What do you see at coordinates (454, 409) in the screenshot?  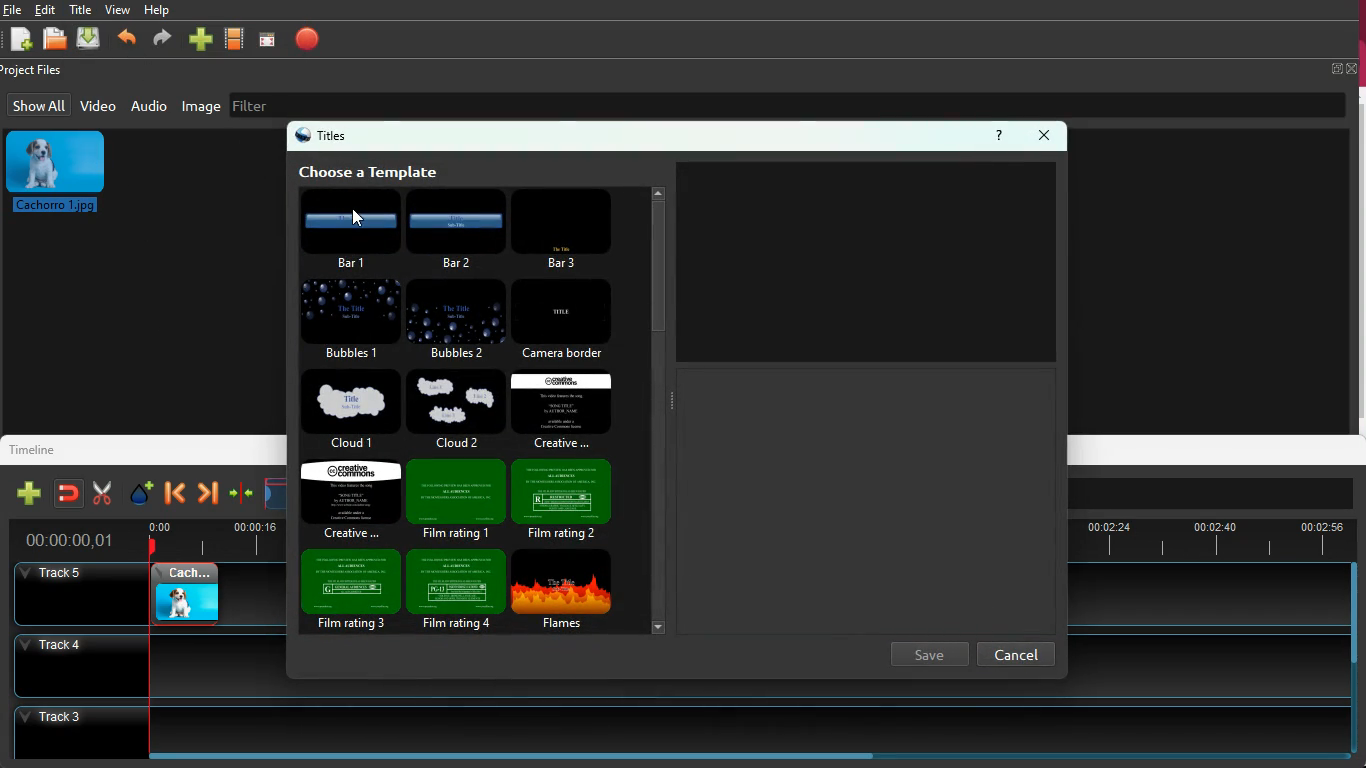 I see `cloud 2` at bounding box center [454, 409].